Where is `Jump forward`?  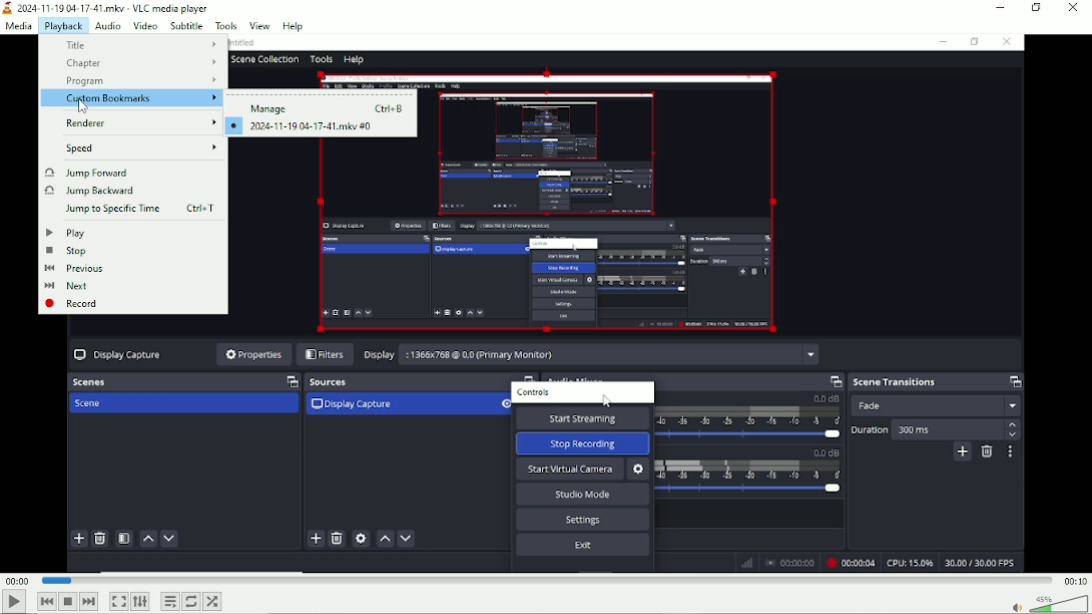 Jump forward is located at coordinates (89, 172).